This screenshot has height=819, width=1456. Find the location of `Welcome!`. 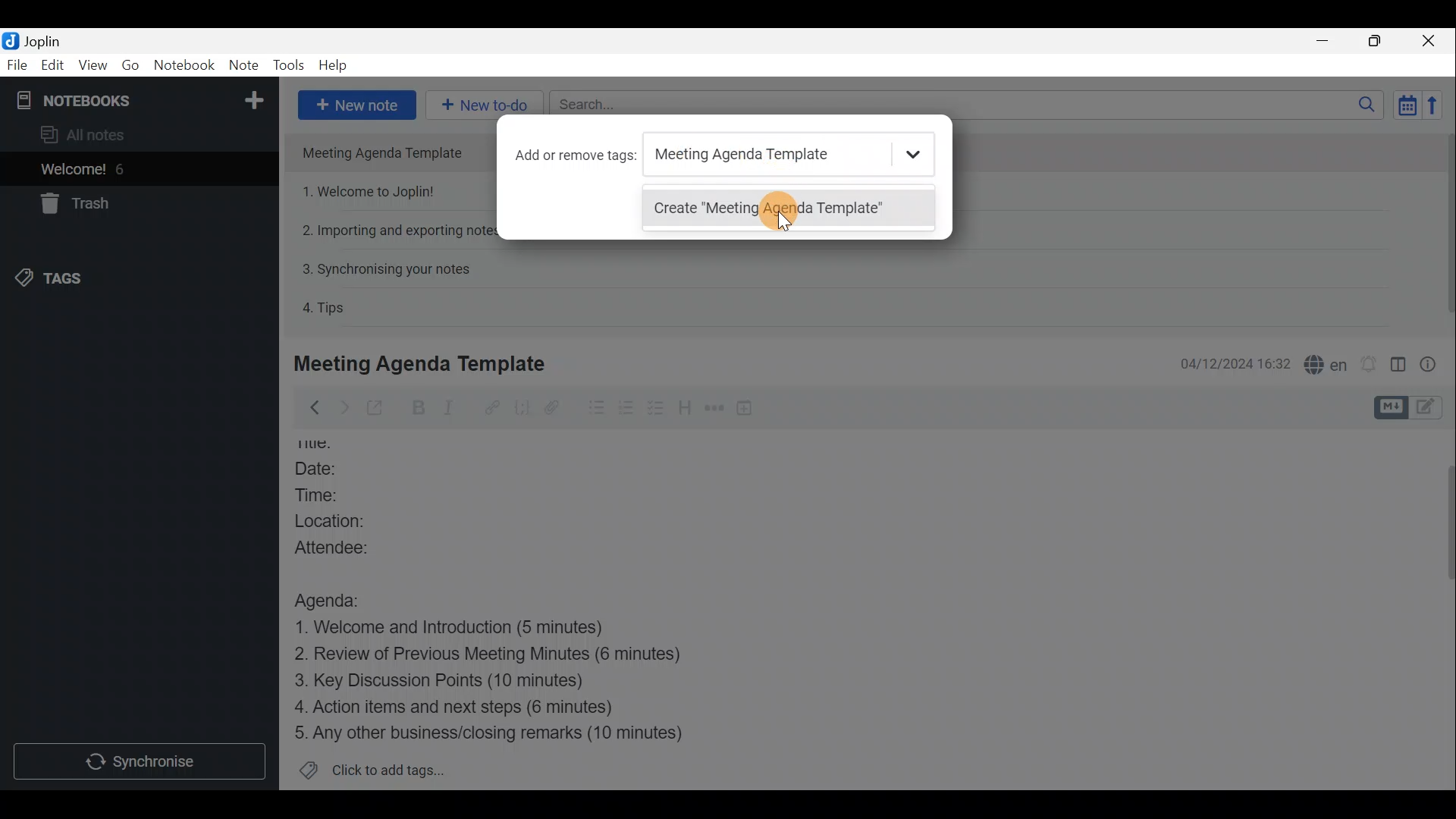

Welcome! is located at coordinates (74, 171).